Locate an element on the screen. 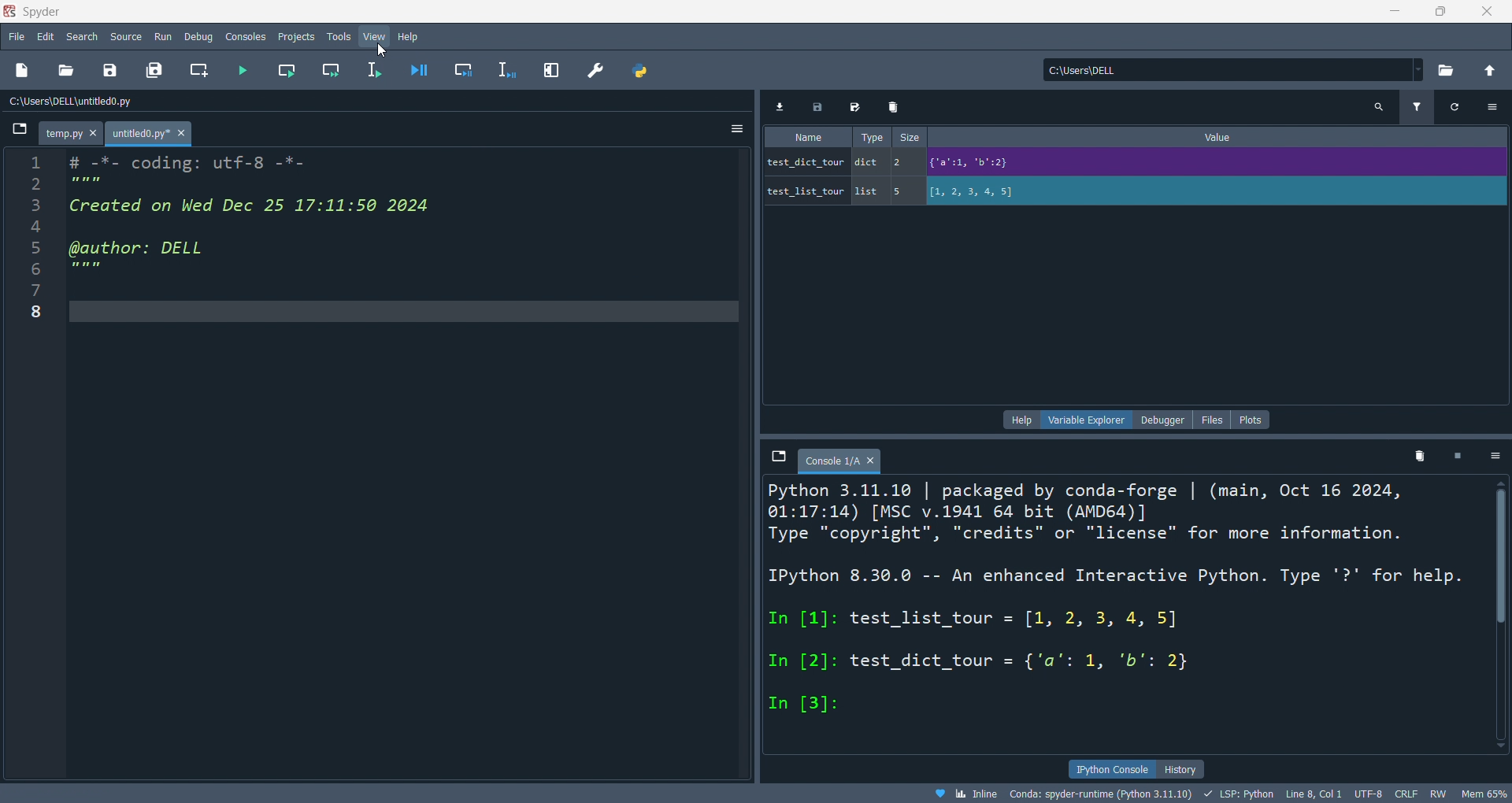  tools is located at coordinates (338, 39).